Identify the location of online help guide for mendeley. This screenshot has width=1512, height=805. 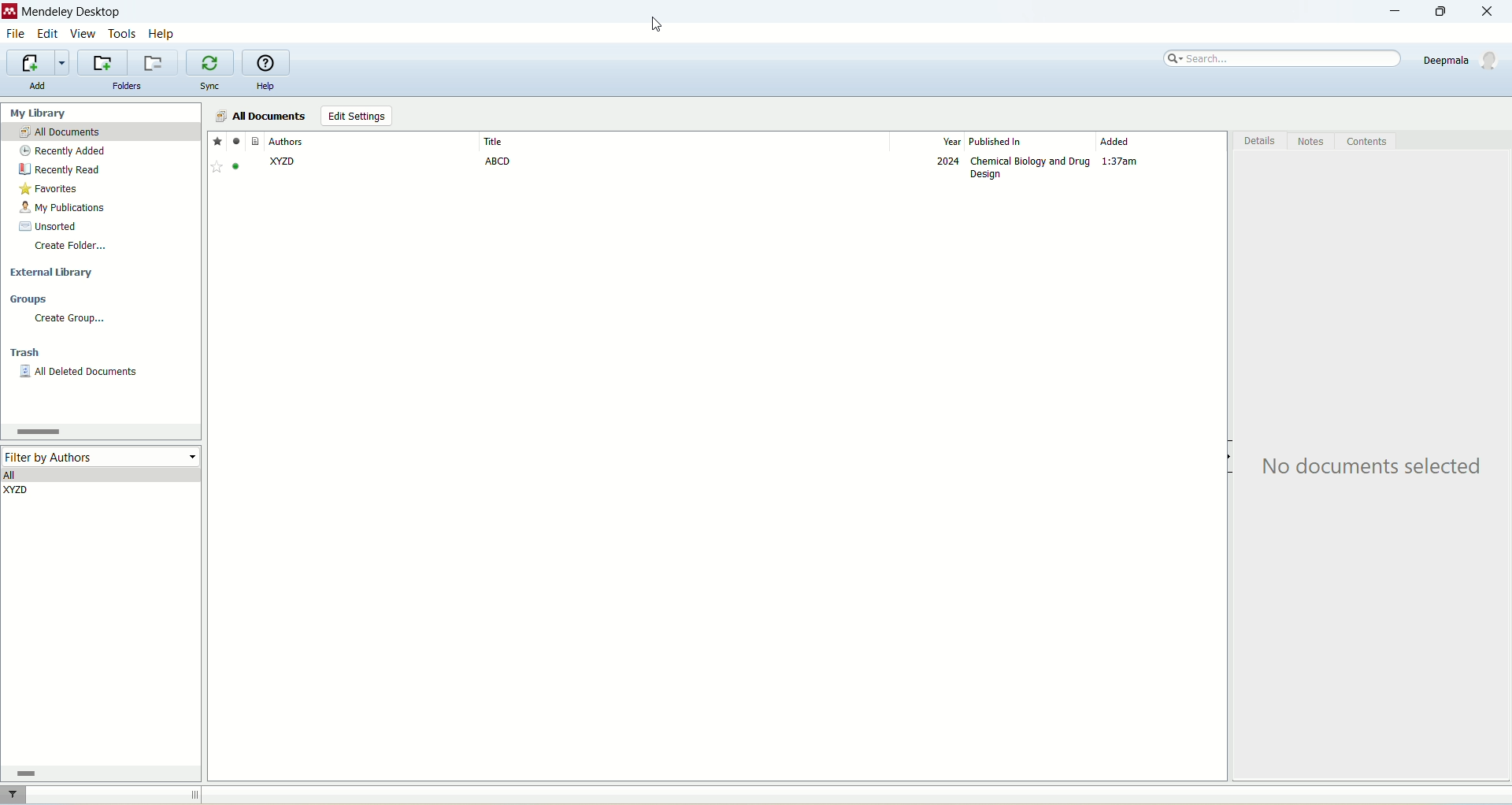
(267, 63).